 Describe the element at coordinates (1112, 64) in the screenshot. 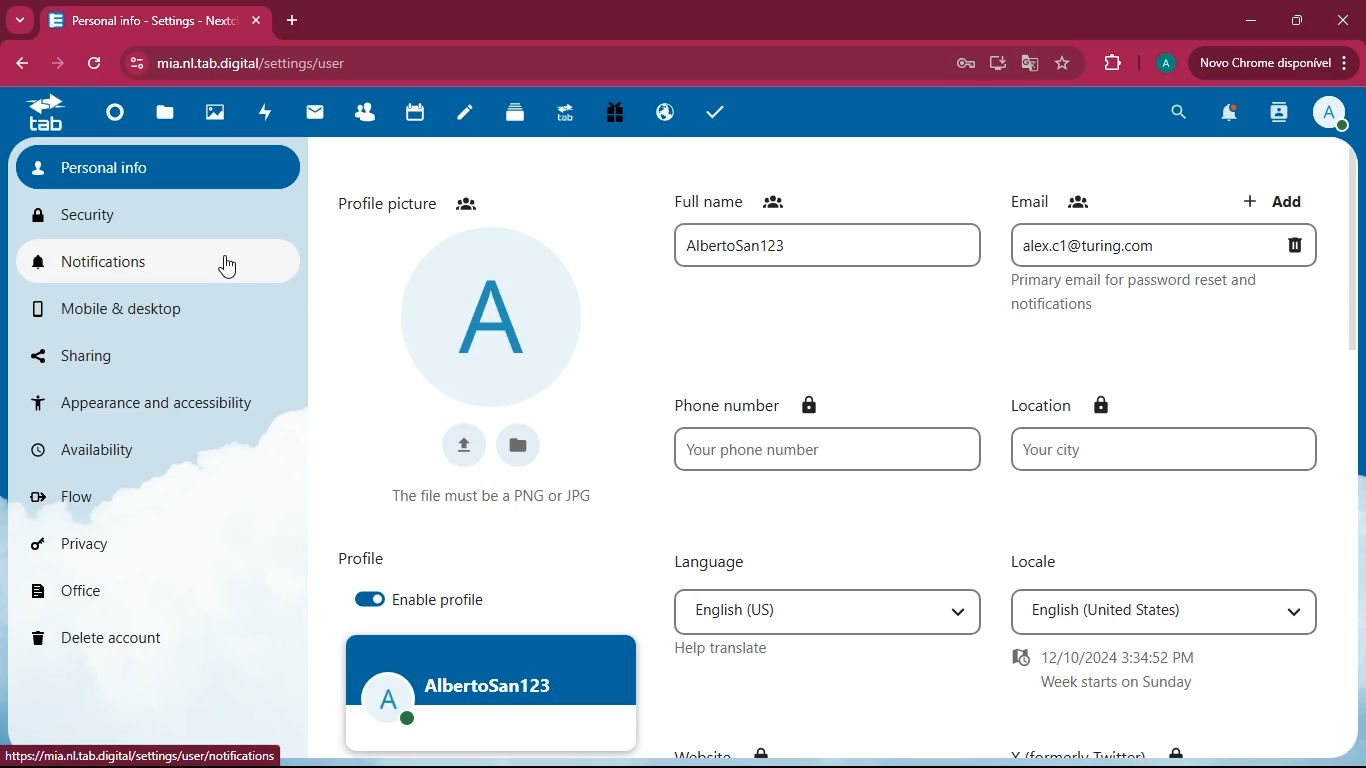

I see `extensions` at that location.